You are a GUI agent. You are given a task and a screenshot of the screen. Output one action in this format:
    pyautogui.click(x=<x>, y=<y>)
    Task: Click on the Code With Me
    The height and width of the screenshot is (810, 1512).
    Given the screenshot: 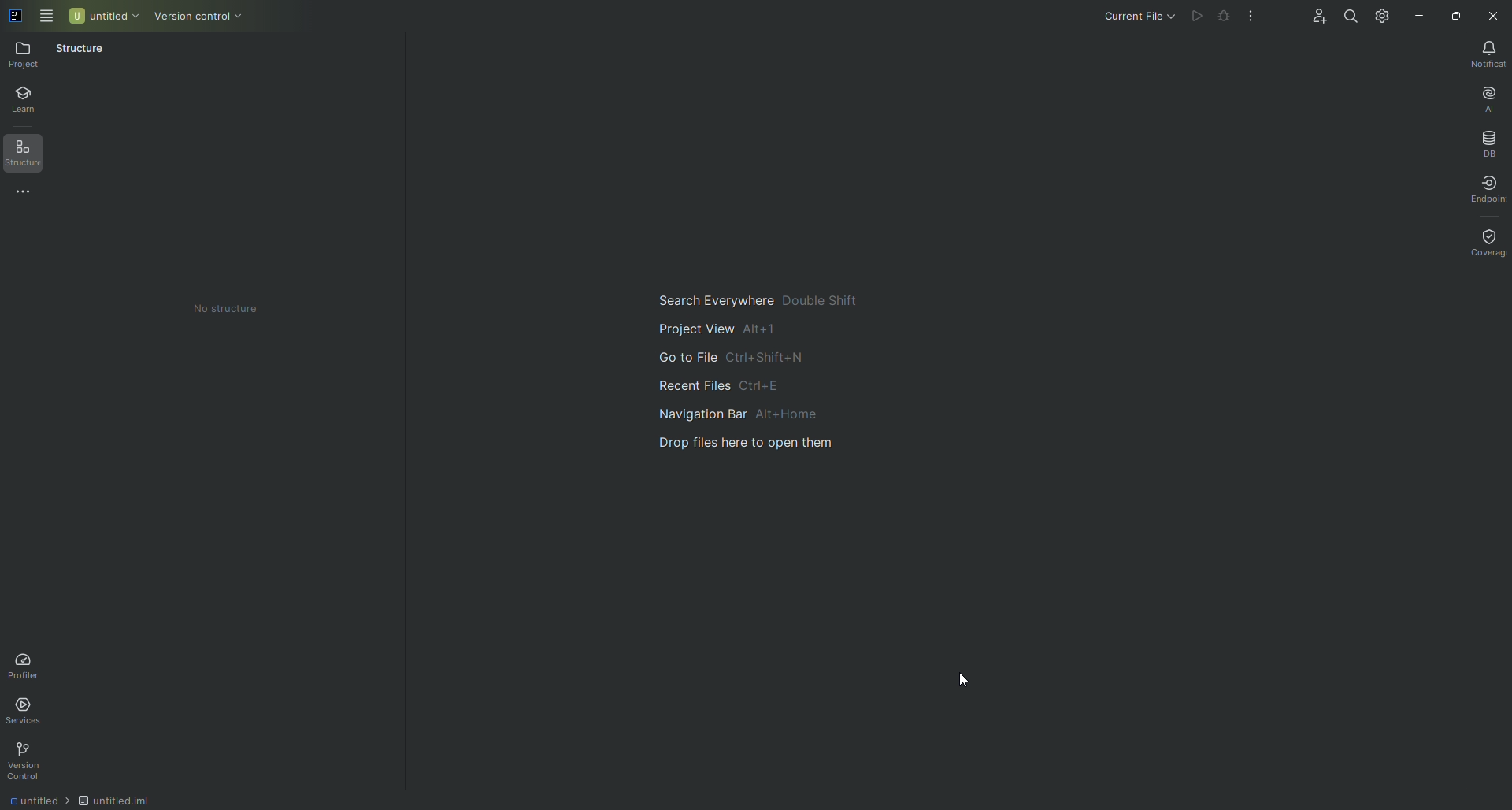 What is the action you would take?
    pyautogui.click(x=1315, y=19)
    